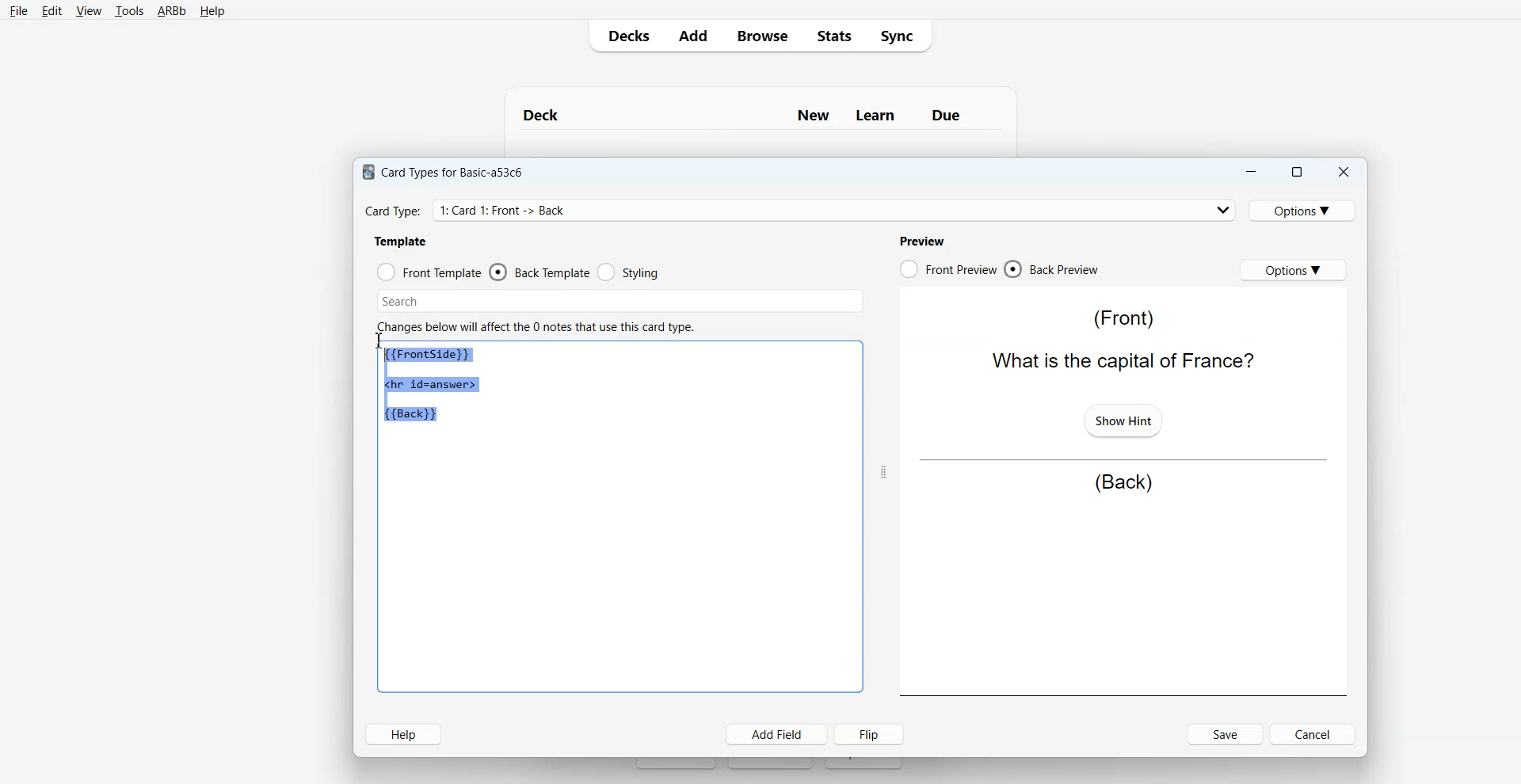 The width and height of the screenshot is (1521, 784). What do you see at coordinates (434, 386) in the screenshot?
I see `{{Frontside}}
<hr id=answer>
(Back)` at bounding box center [434, 386].